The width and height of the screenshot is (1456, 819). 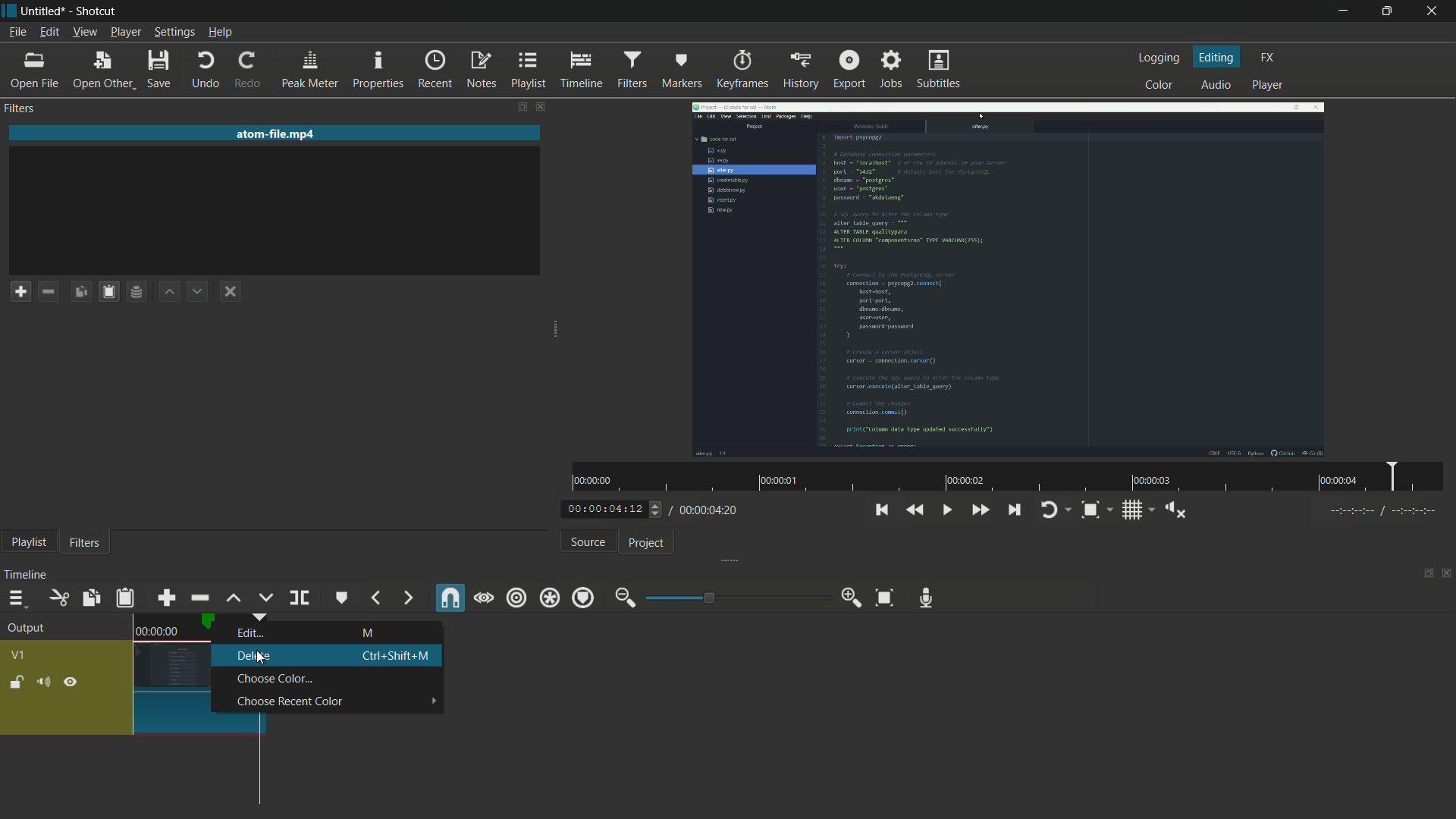 What do you see at coordinates (517, 598) in the screenshot?
I see `ripple` at bounding box center [517, 598].